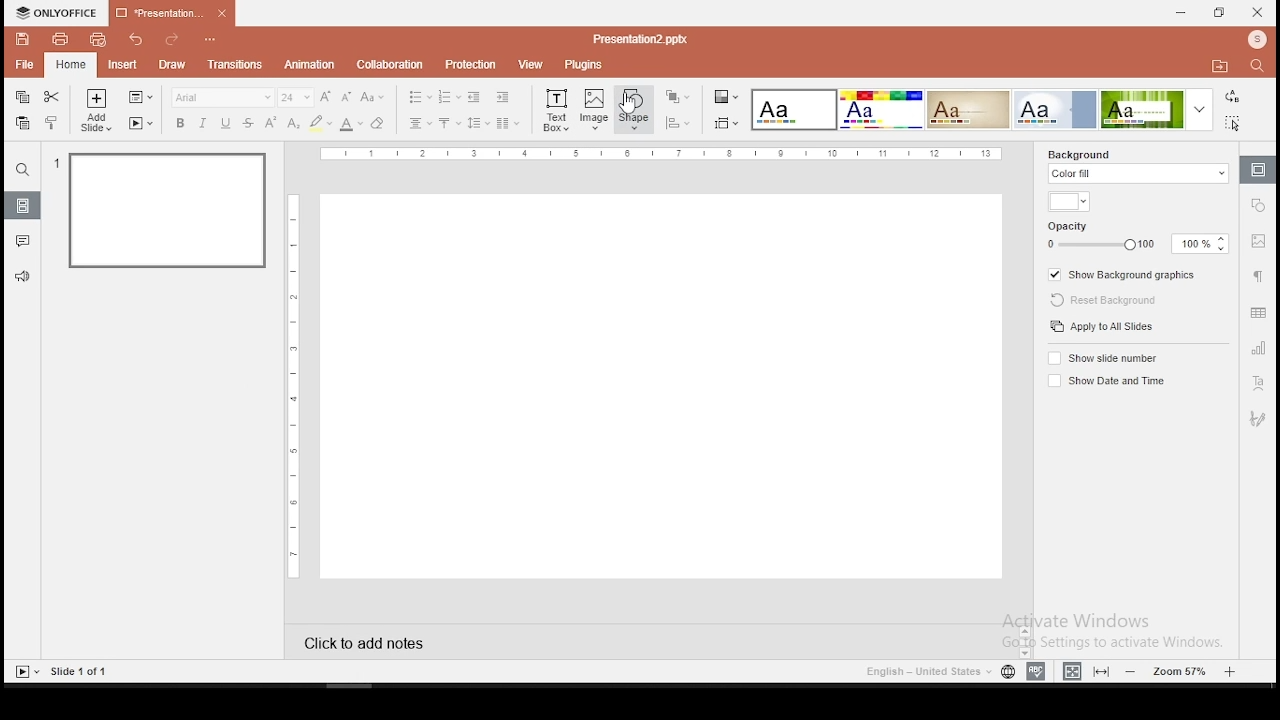 The width and height of the screenshot is (1280, 720). What do you see at coordinates (795, 111) in the screenshot?
I see `theme` at bounding box center [795, 111].